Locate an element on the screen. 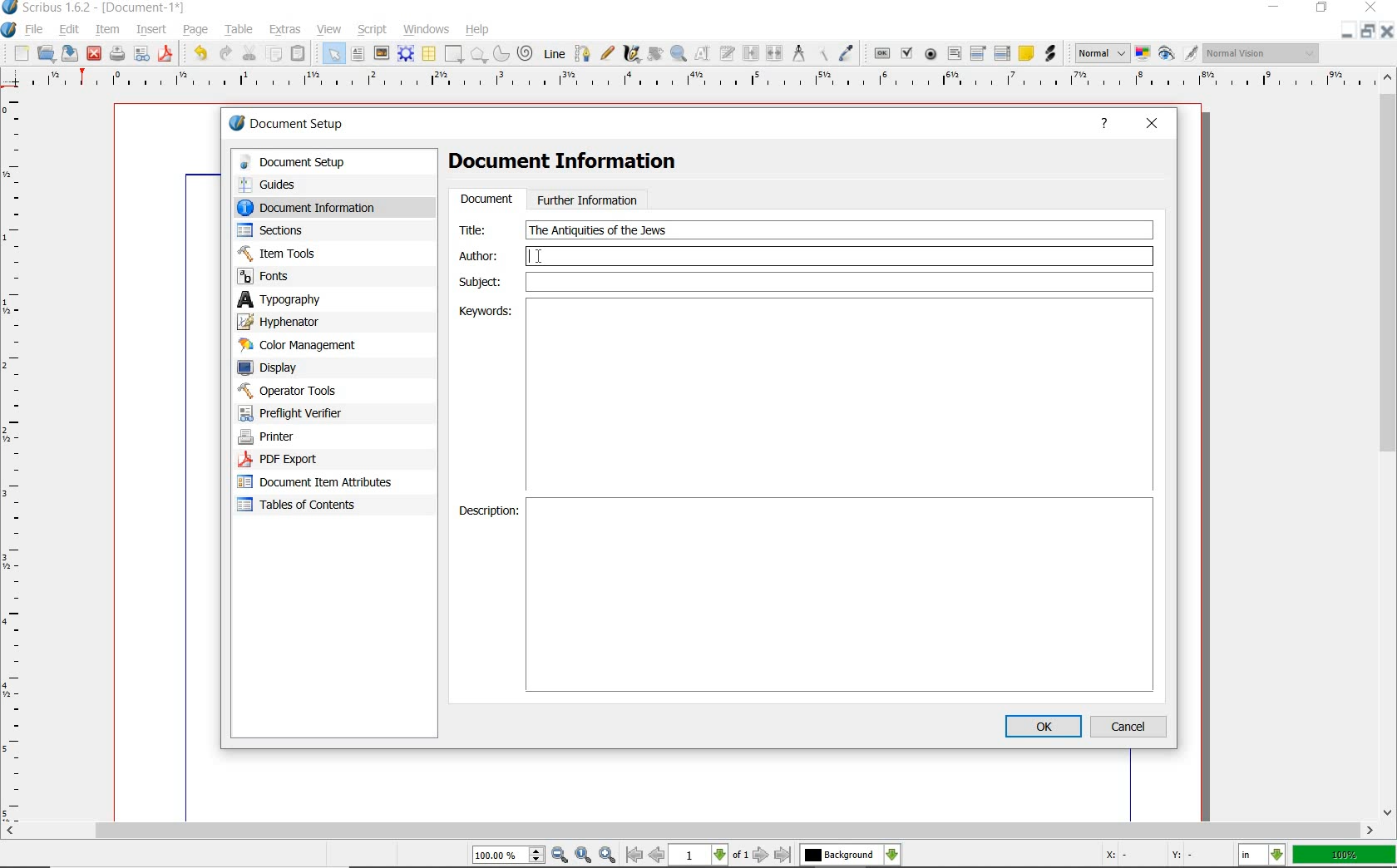  link text frames is located at coordinates (751, 54).